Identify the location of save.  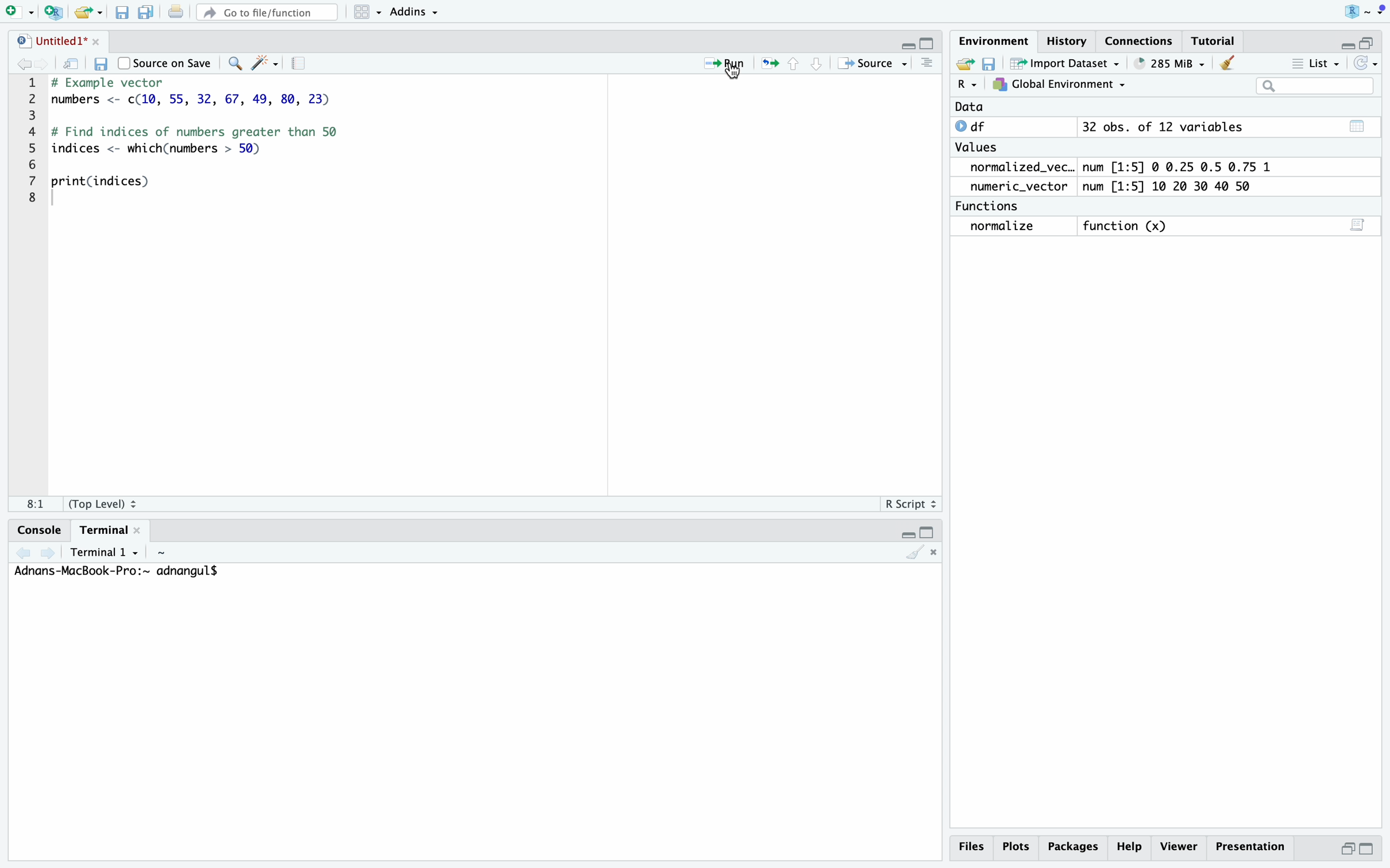
(102, 63).